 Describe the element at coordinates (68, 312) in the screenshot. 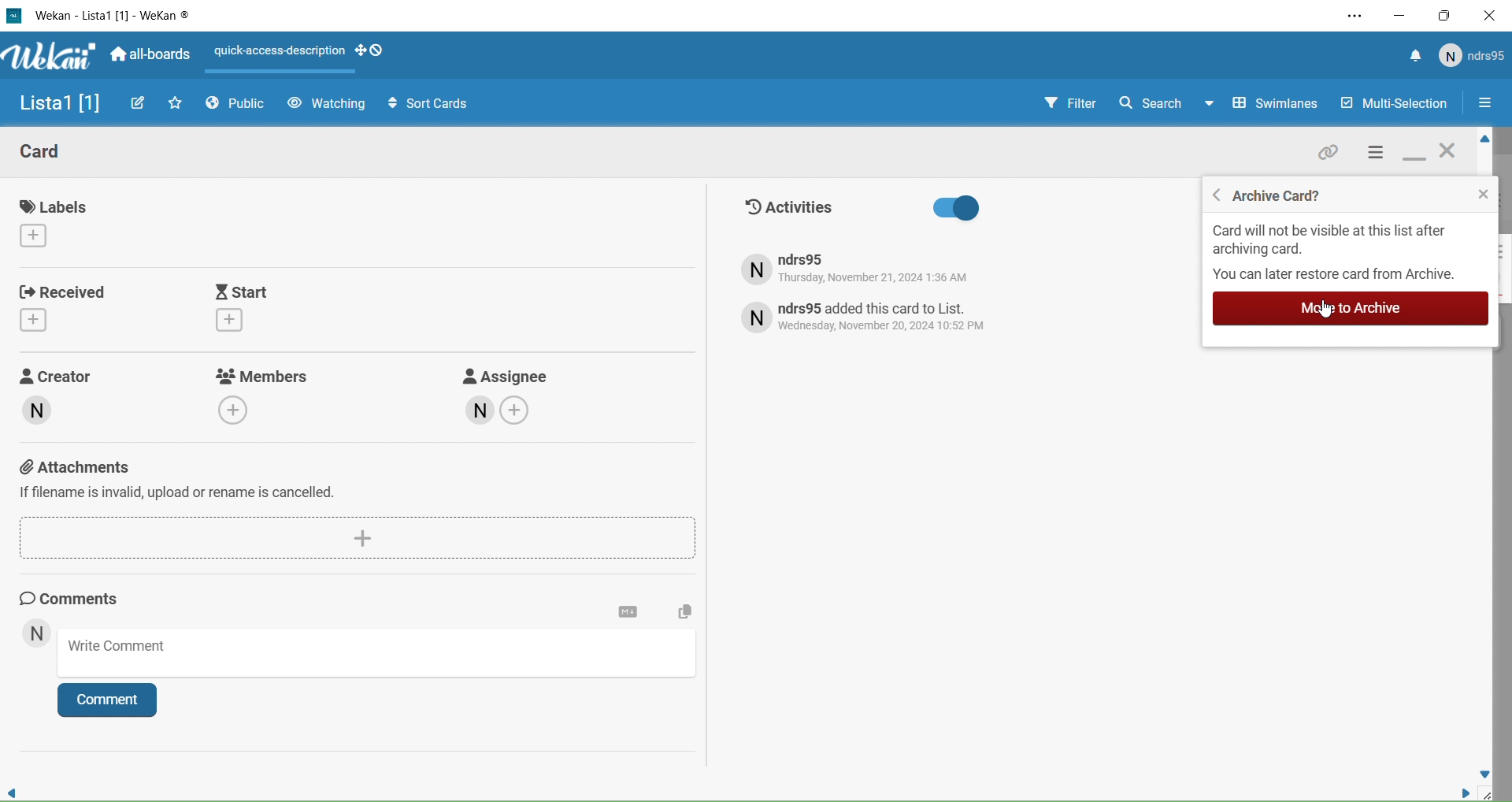

I see `Received` at that location.